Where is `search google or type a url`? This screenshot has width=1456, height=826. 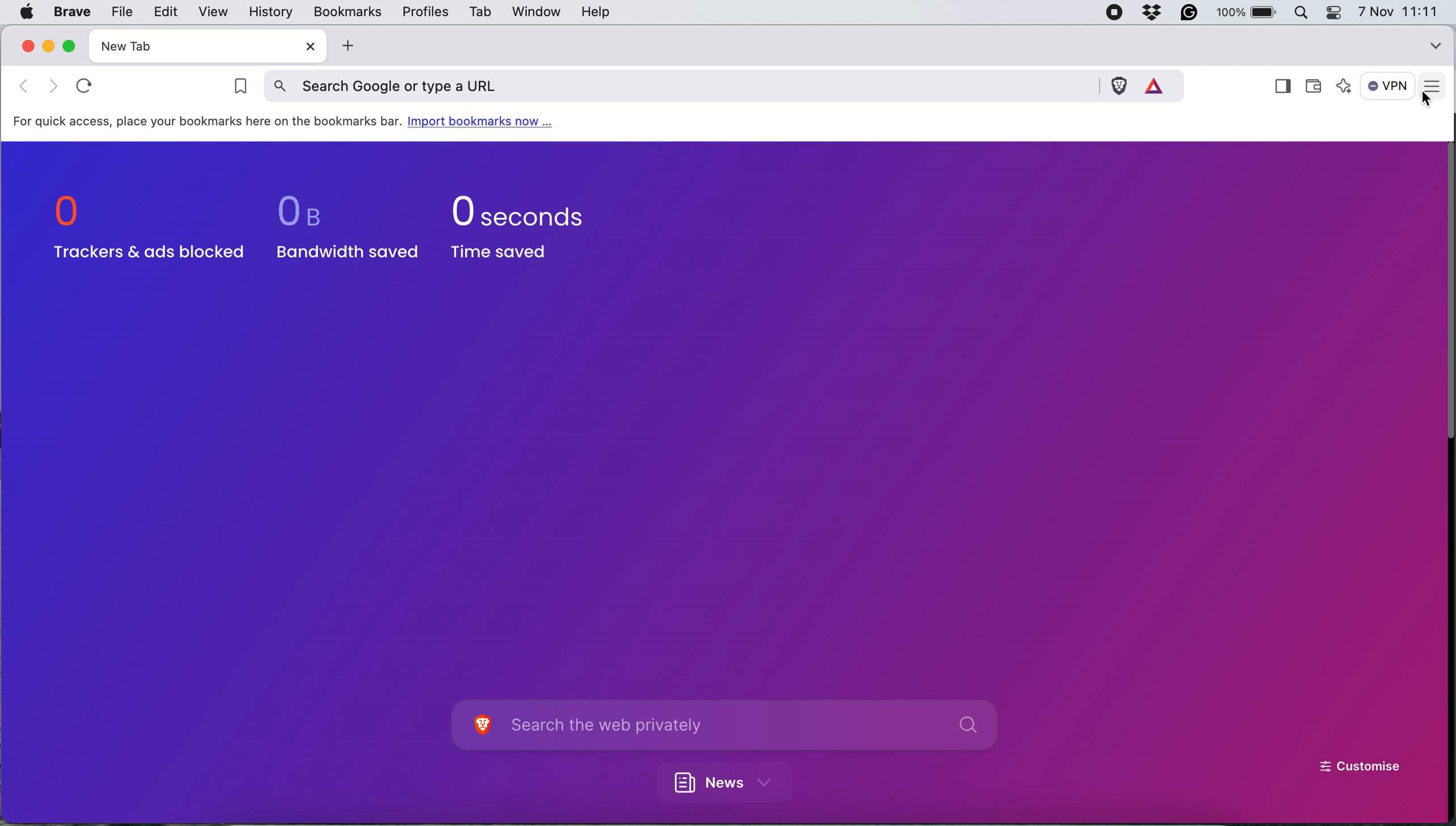 search google or type a url is located at coordinates (681, 85).